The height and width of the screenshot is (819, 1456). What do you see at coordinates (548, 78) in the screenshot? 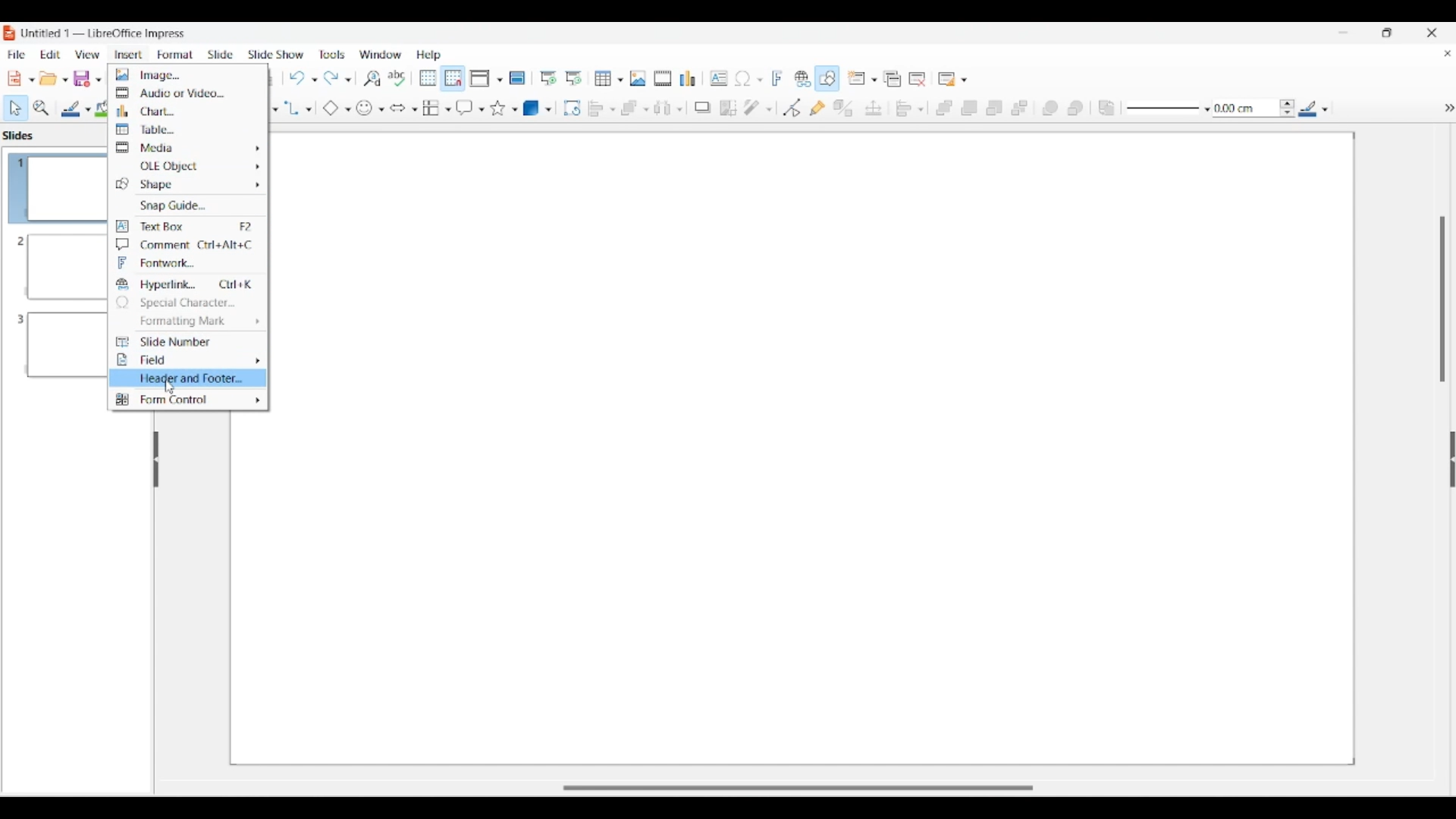
I see `Start from first slide` at bounding box center [548, 78].